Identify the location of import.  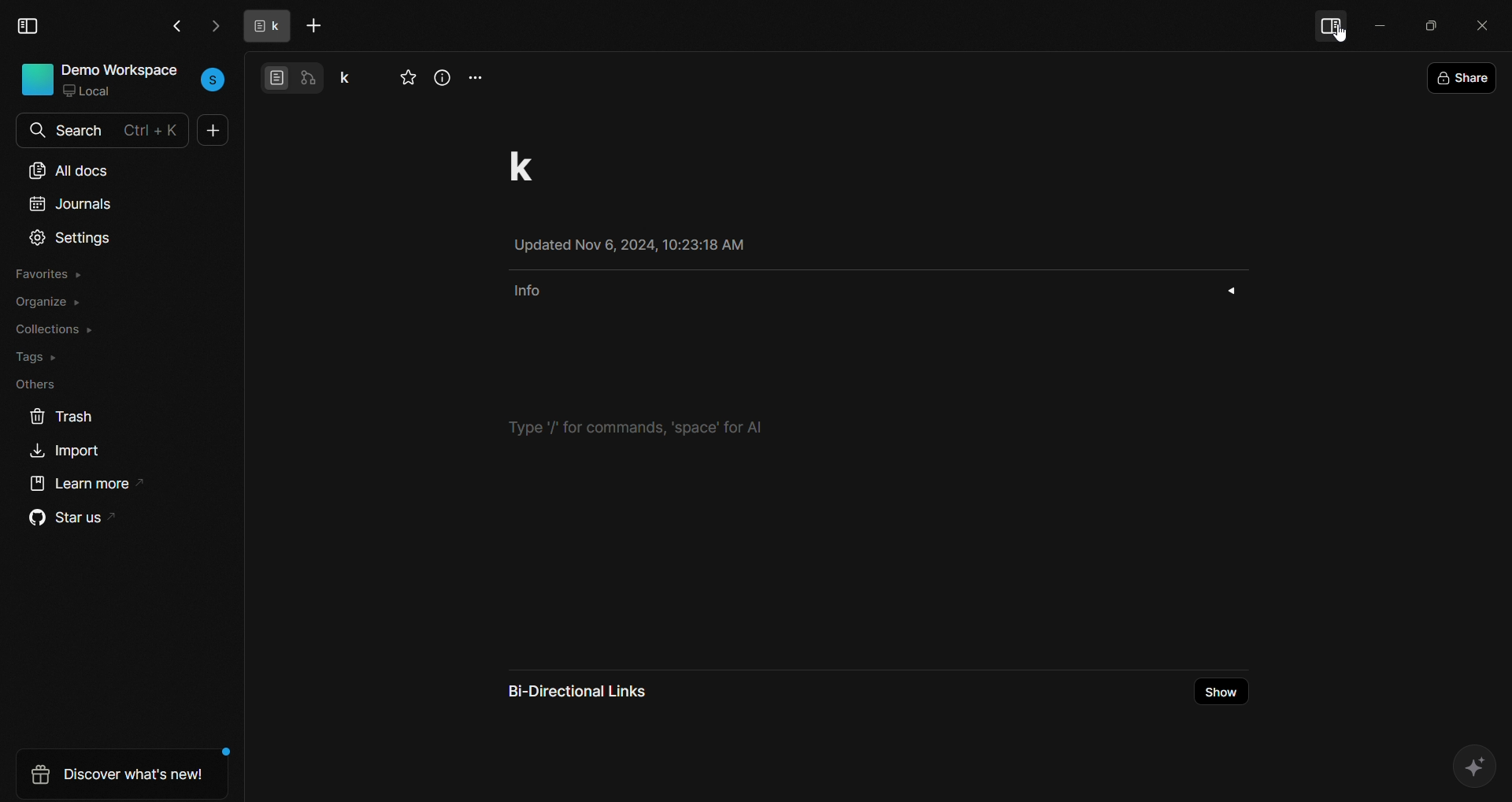
(69, 453).